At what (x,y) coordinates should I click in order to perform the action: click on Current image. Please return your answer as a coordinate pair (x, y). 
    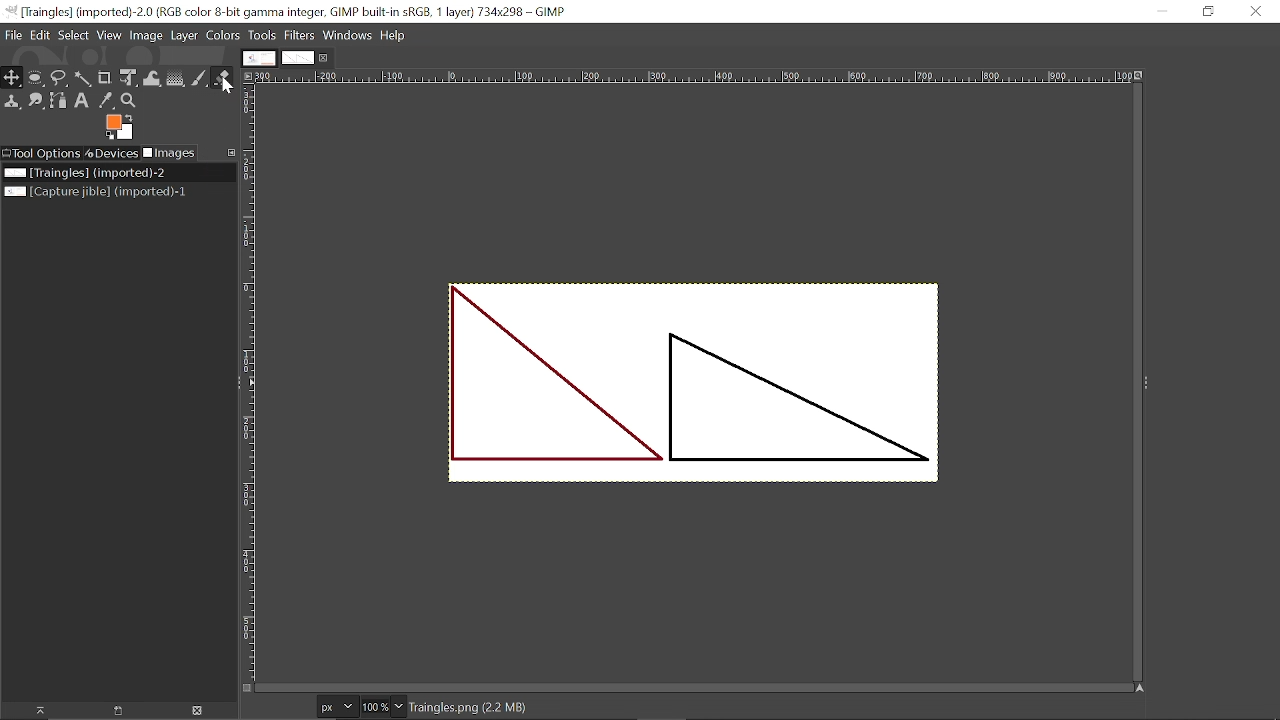
    Looking at the image, I should click on (699, 387).